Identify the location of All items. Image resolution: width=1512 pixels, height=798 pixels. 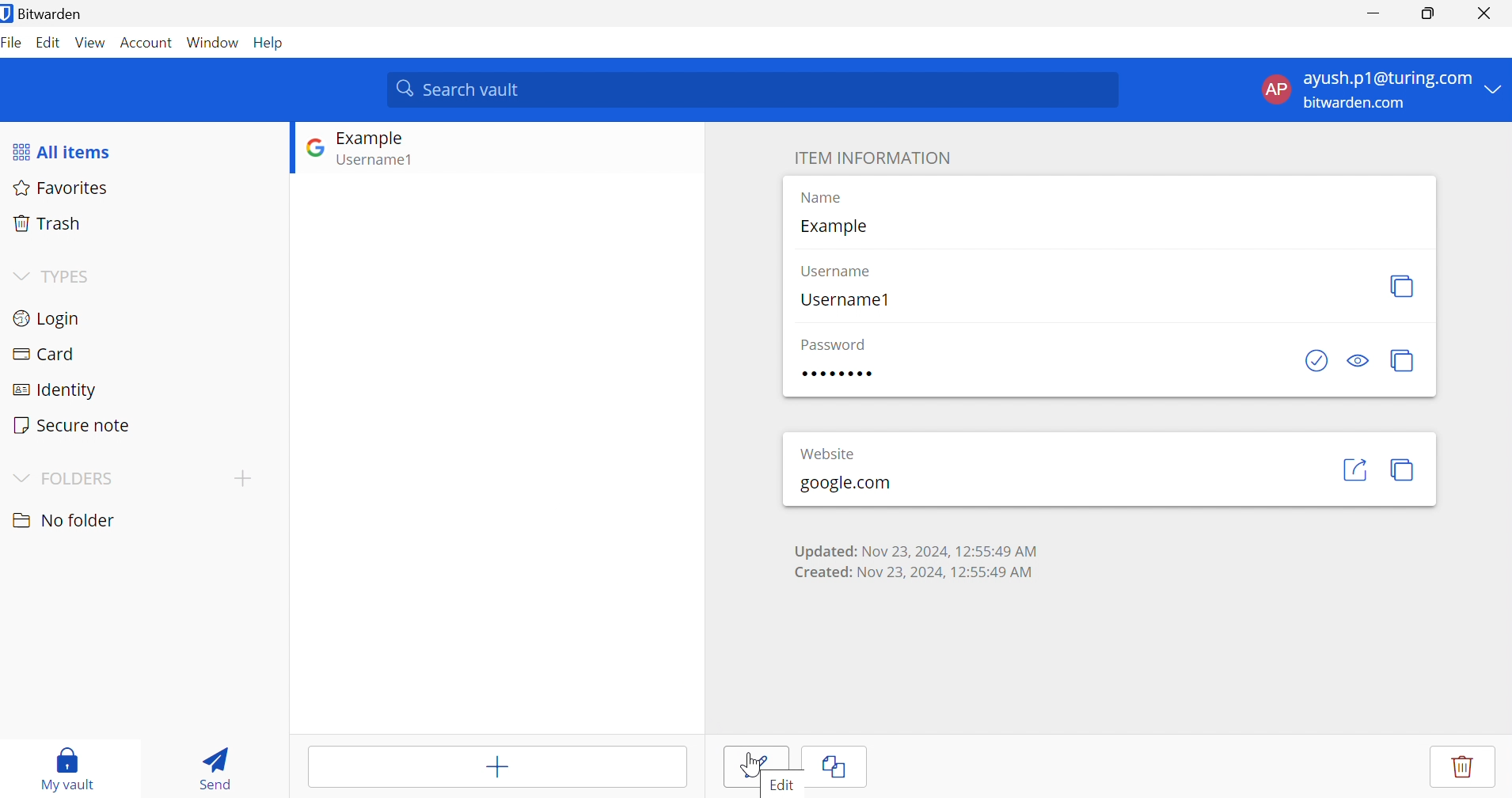
(63, 150).